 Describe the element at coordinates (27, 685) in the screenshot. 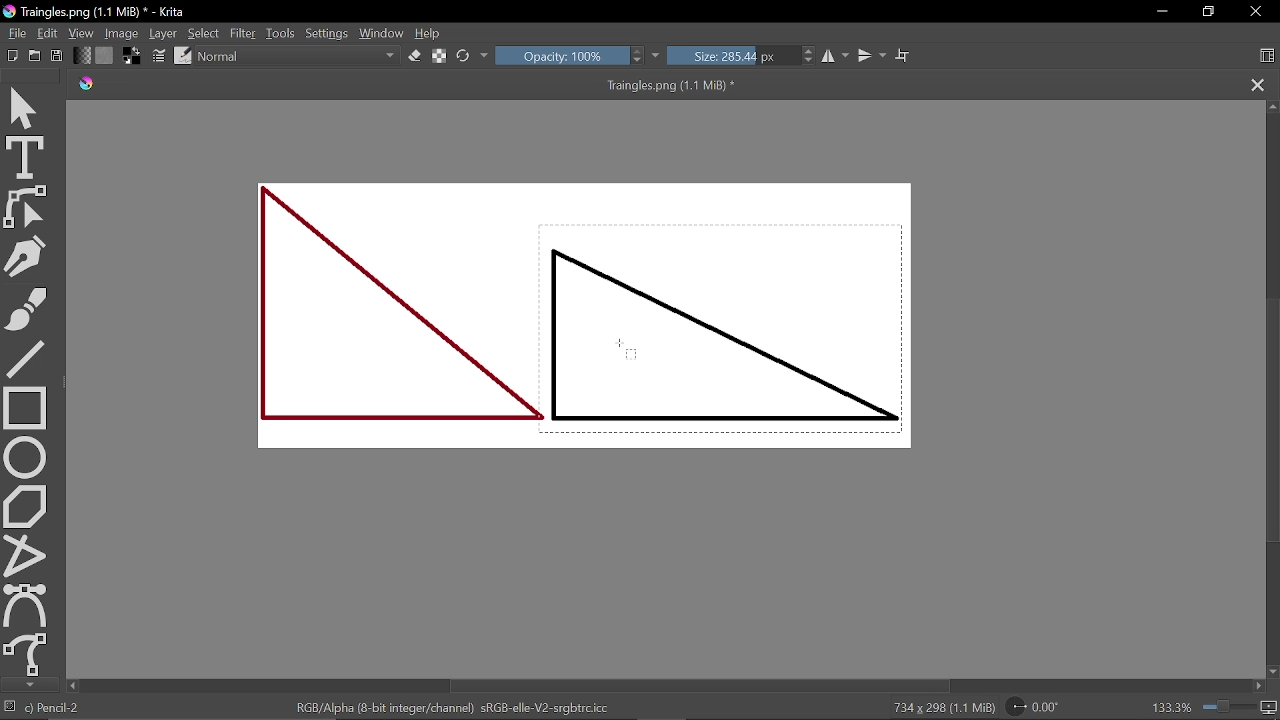

I see `Move down tool` at that location.